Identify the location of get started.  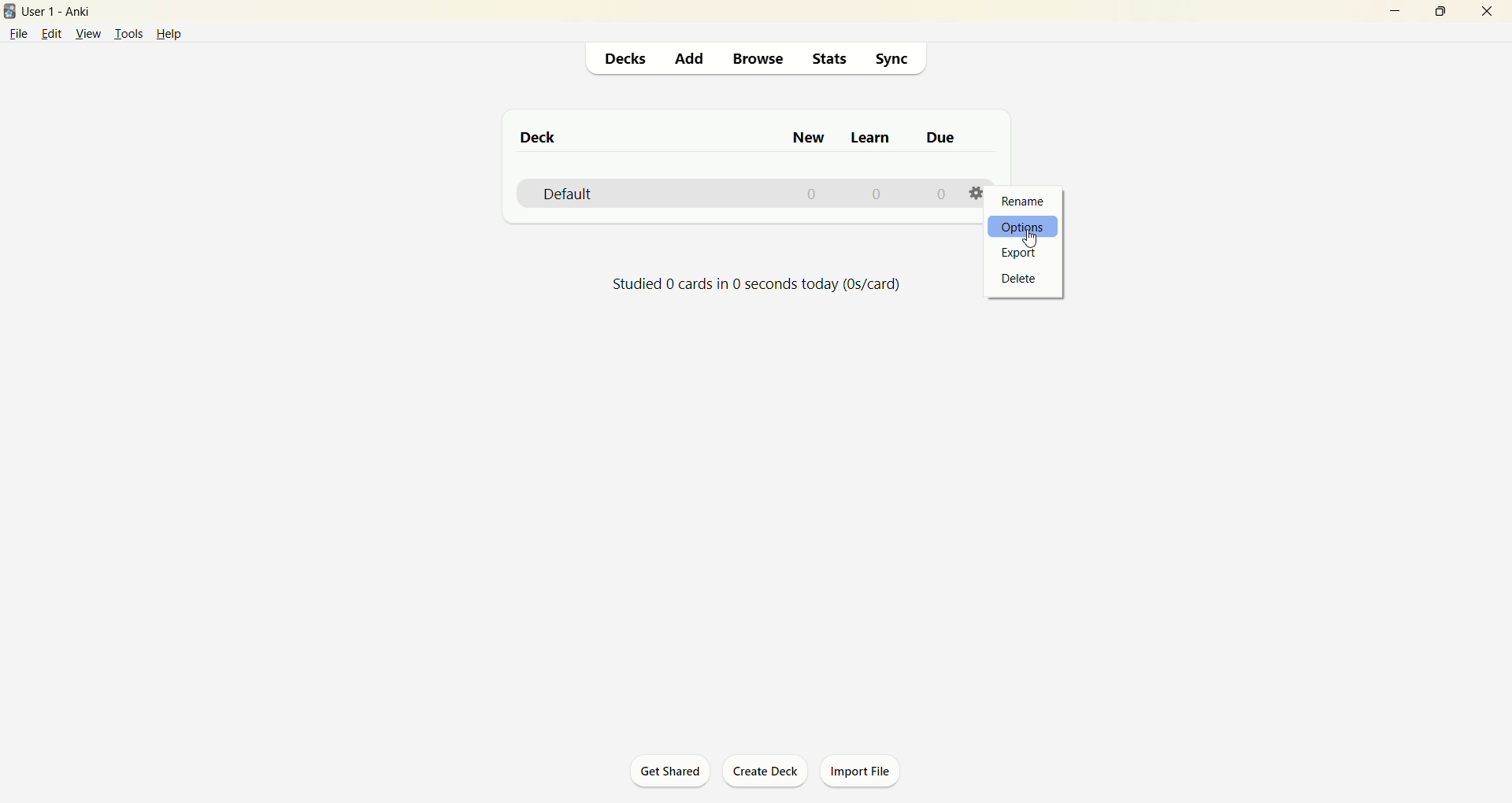
(670, 771).